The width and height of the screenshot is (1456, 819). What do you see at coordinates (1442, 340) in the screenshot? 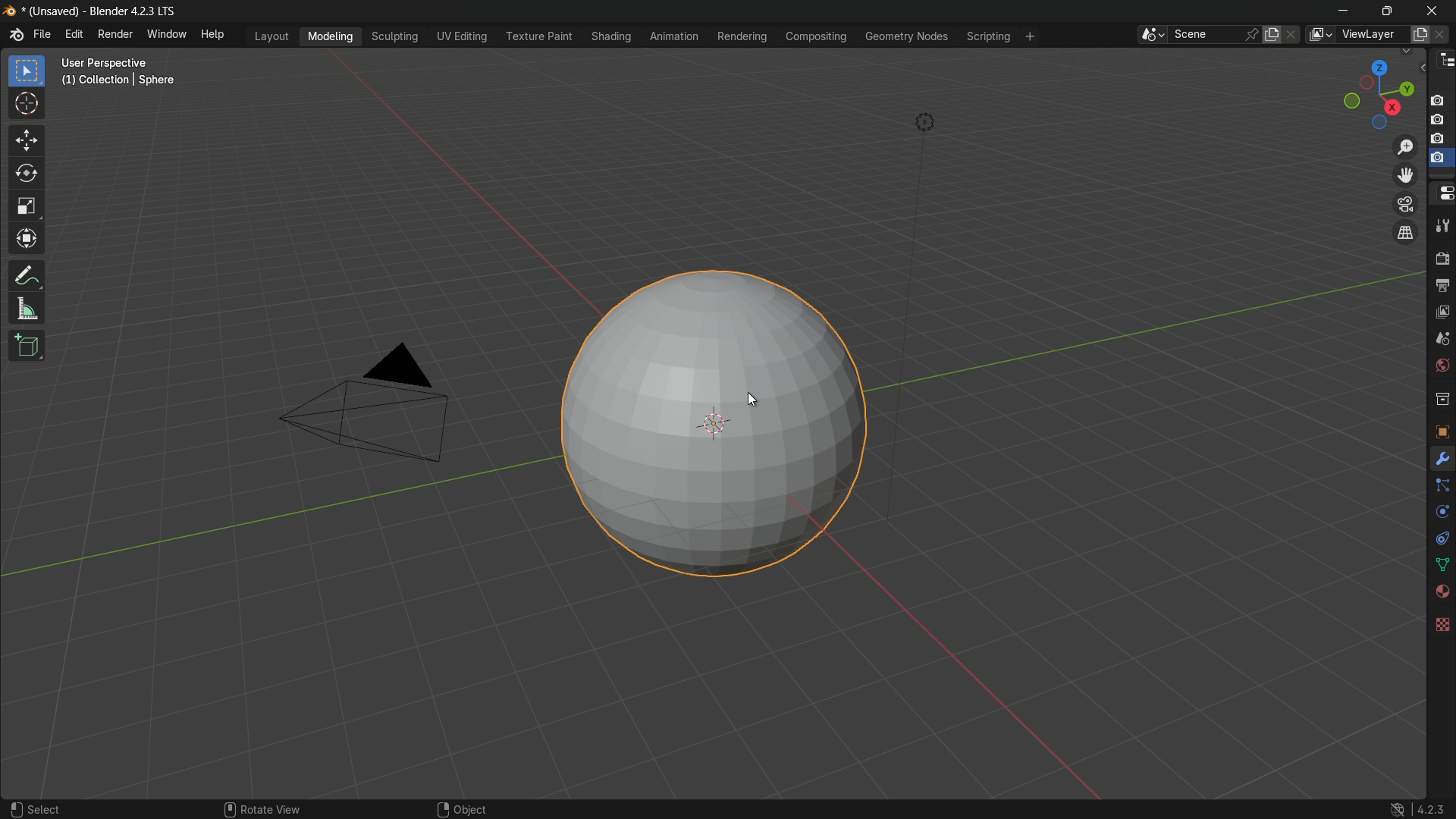
I see `scenes` at bounding box center [1442, 340].